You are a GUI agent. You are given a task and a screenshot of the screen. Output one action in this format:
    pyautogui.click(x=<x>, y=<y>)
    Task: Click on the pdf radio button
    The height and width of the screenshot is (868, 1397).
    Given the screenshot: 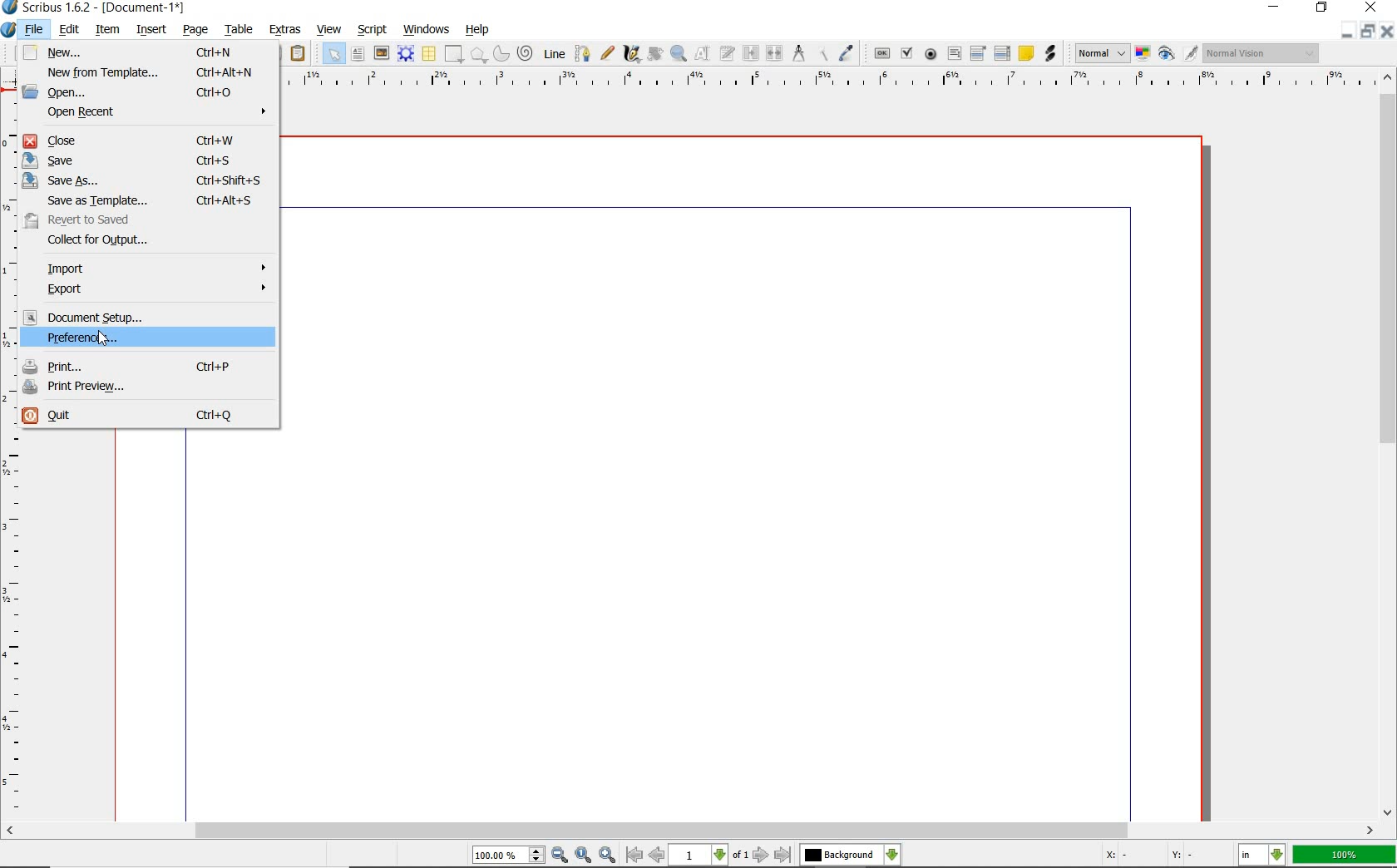 What is the action you would take?
    pyautogui.click(x=931, y=55)
    